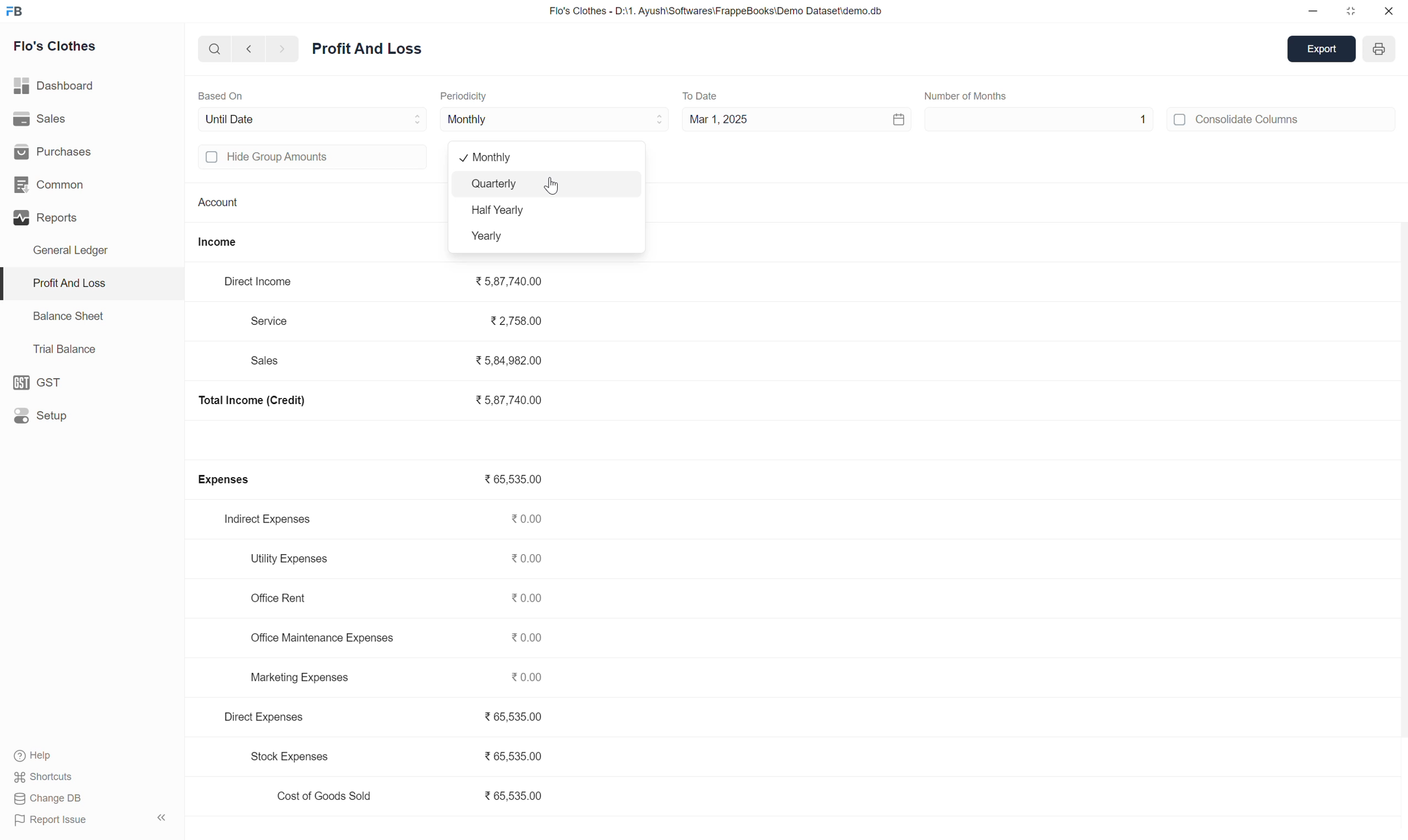 The width and height of the screenshot is (1408, 840). Describe the element at coordinates (491, 183) in the screenshot. I see `Quarterly` at that location.